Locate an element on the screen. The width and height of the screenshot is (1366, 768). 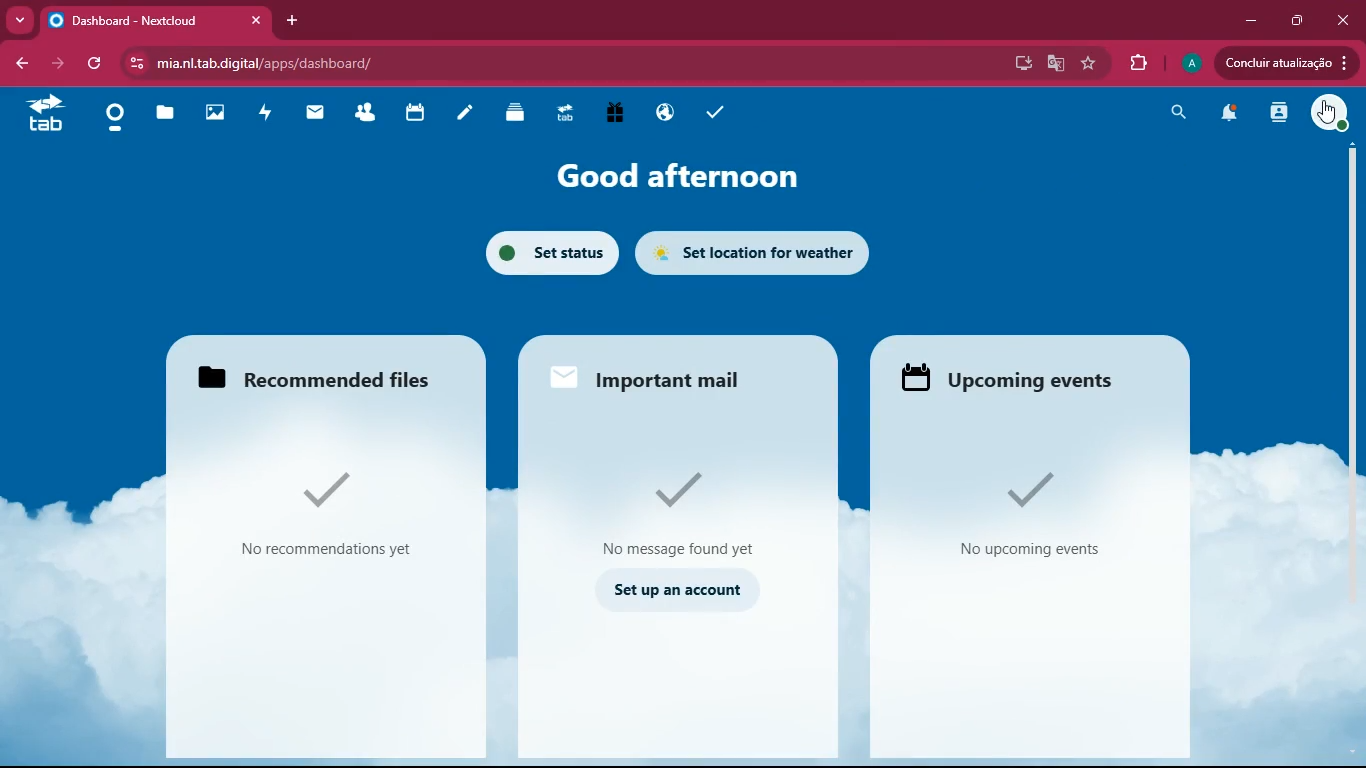
profile is located at coordinates (1332, 115).